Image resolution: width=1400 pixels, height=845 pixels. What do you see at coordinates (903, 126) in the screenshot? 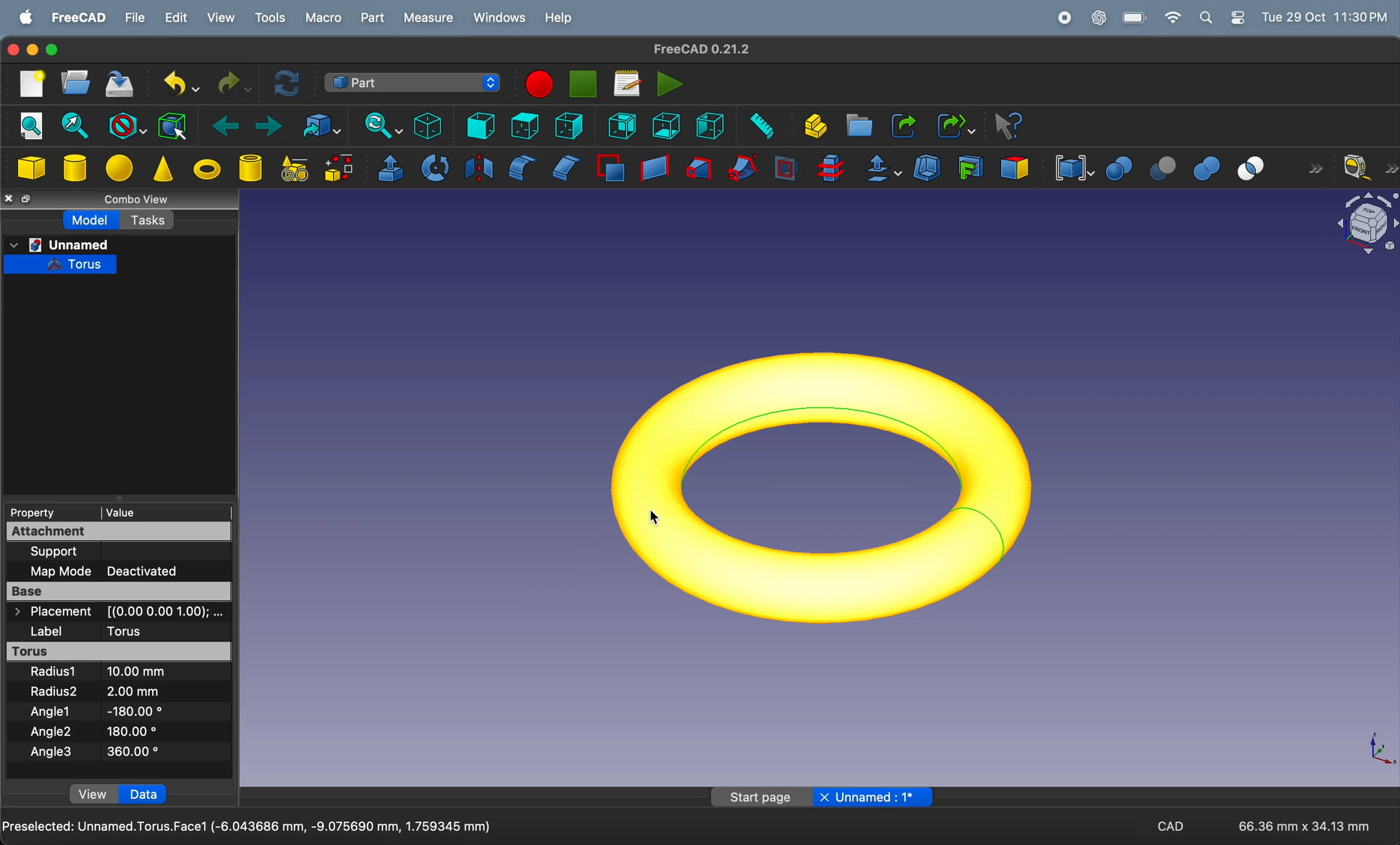
I see `make link` at bounding box center [903, 126].